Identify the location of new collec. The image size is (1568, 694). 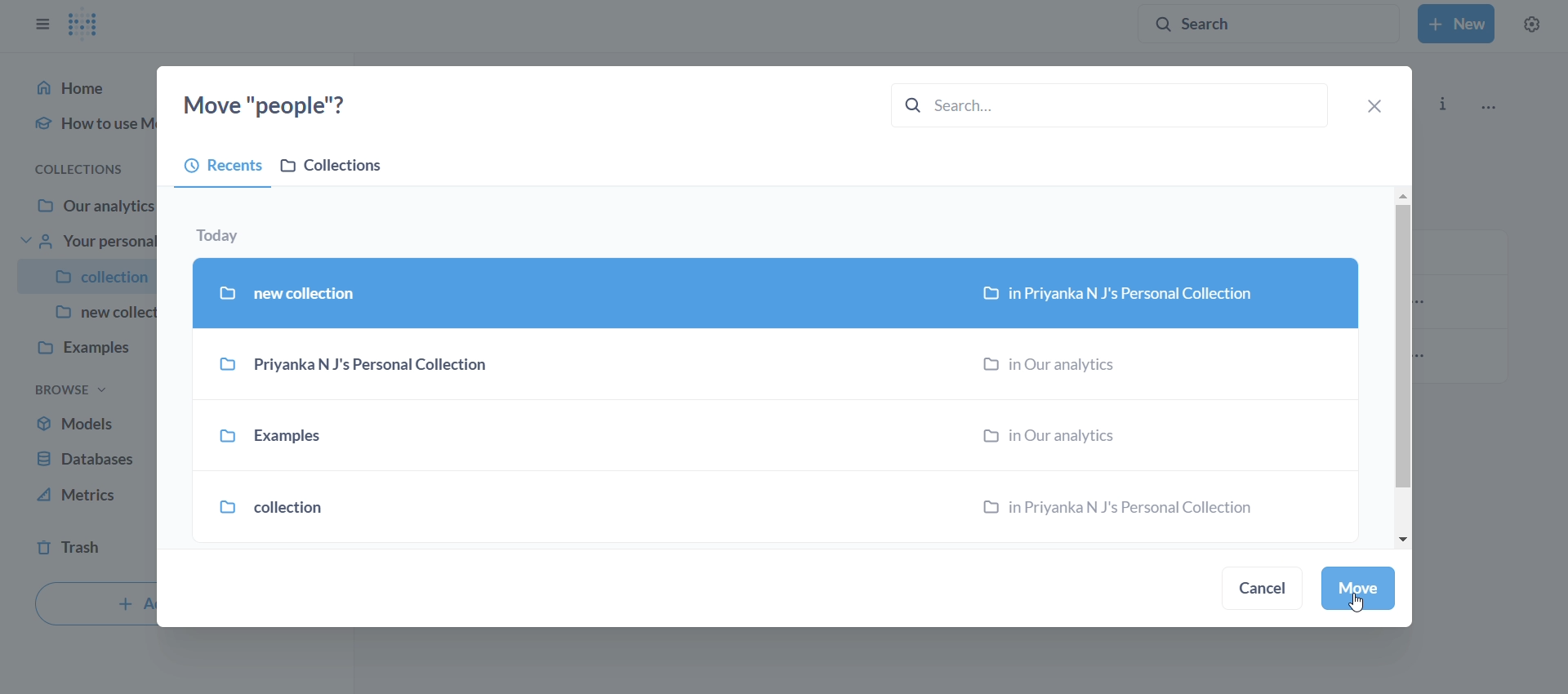
(97, 312).